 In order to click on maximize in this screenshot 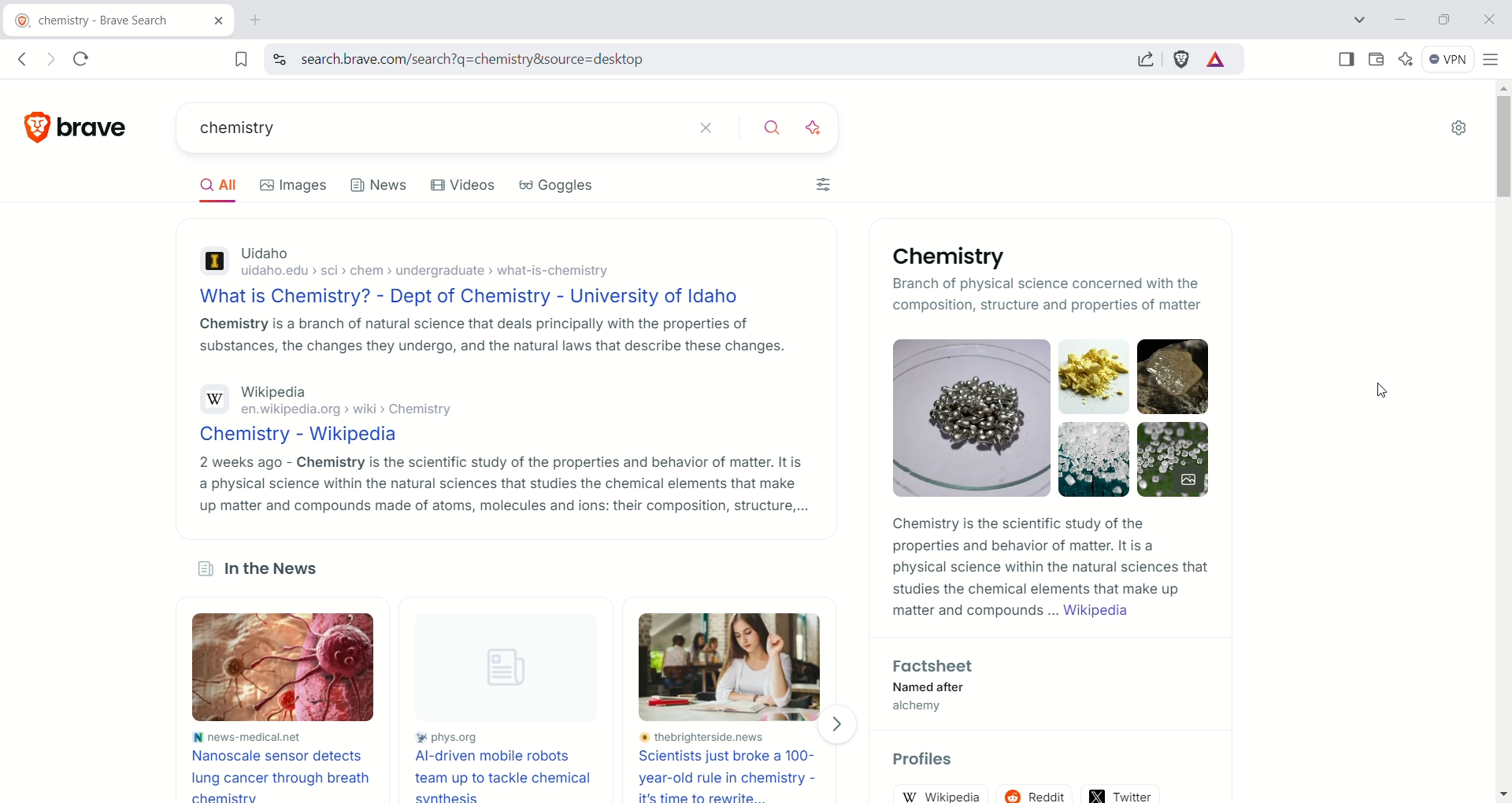, I will do `click(1443, 18)`.